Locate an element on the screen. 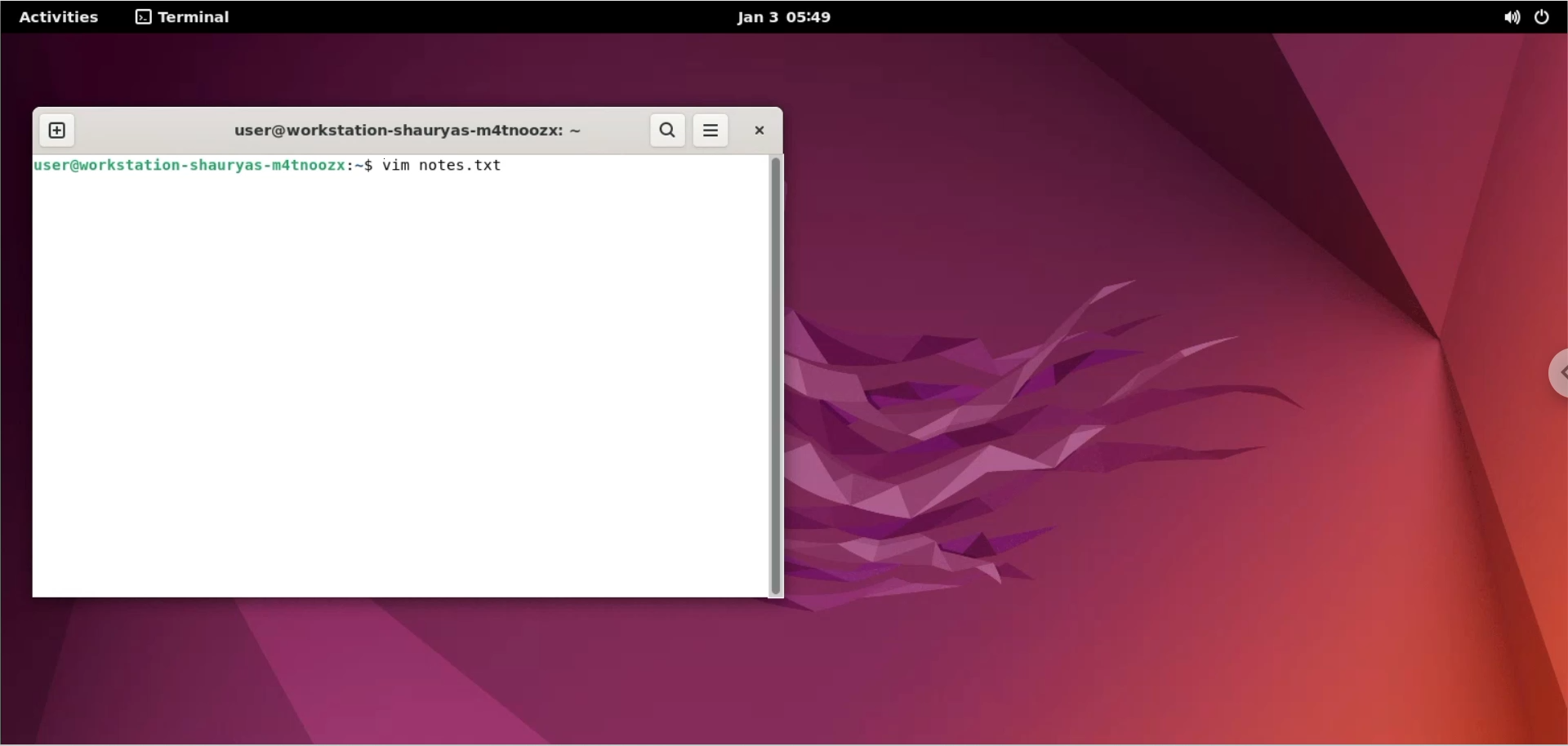 This screenshot has width=1568, height=746. vim notes.txt is located at coordinates (447, 165).